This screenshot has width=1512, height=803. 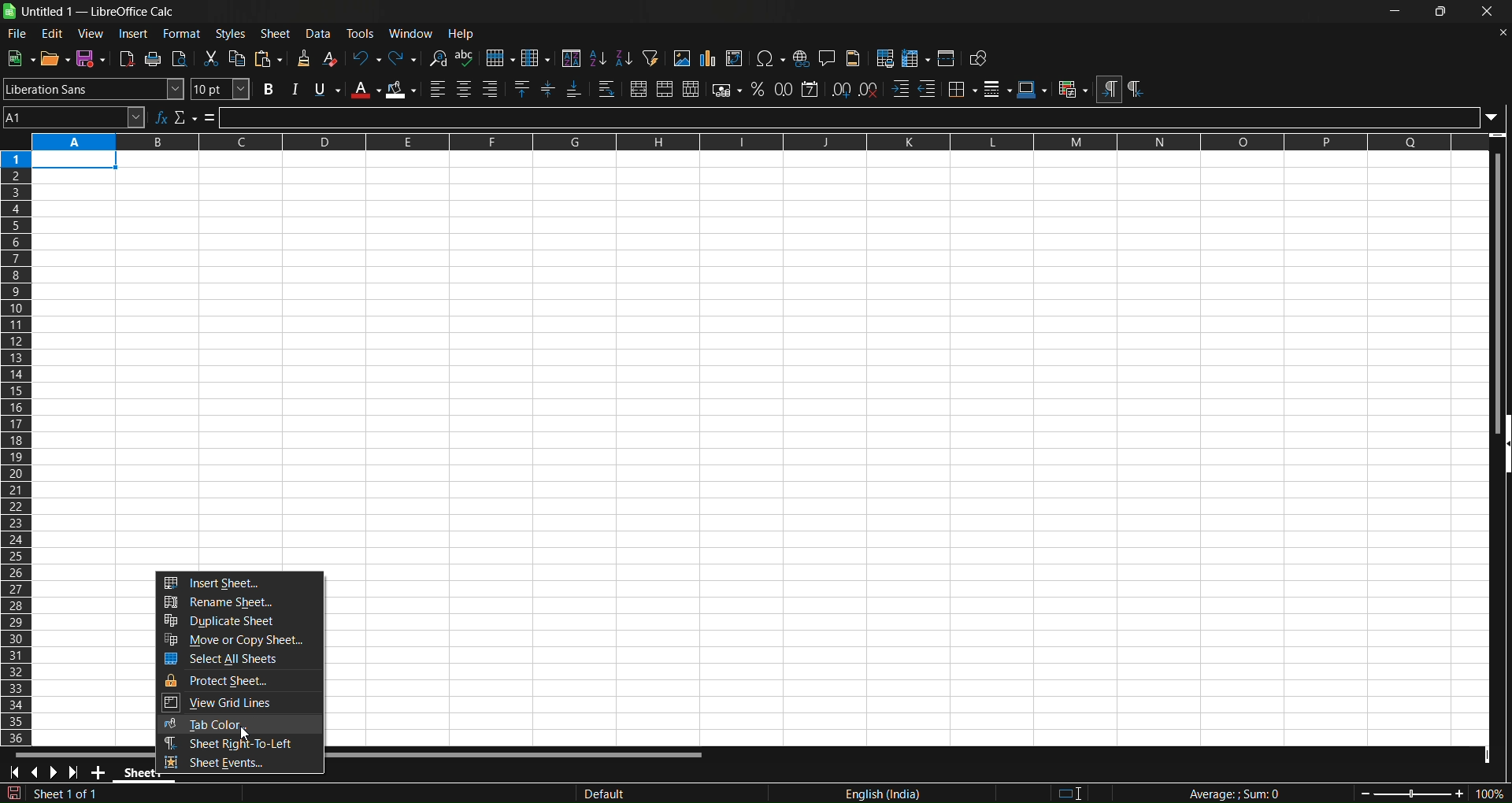 What do you see at coordinates (265, 90) in the screenshot?
I see `bold` at bounding box center [265, 90].